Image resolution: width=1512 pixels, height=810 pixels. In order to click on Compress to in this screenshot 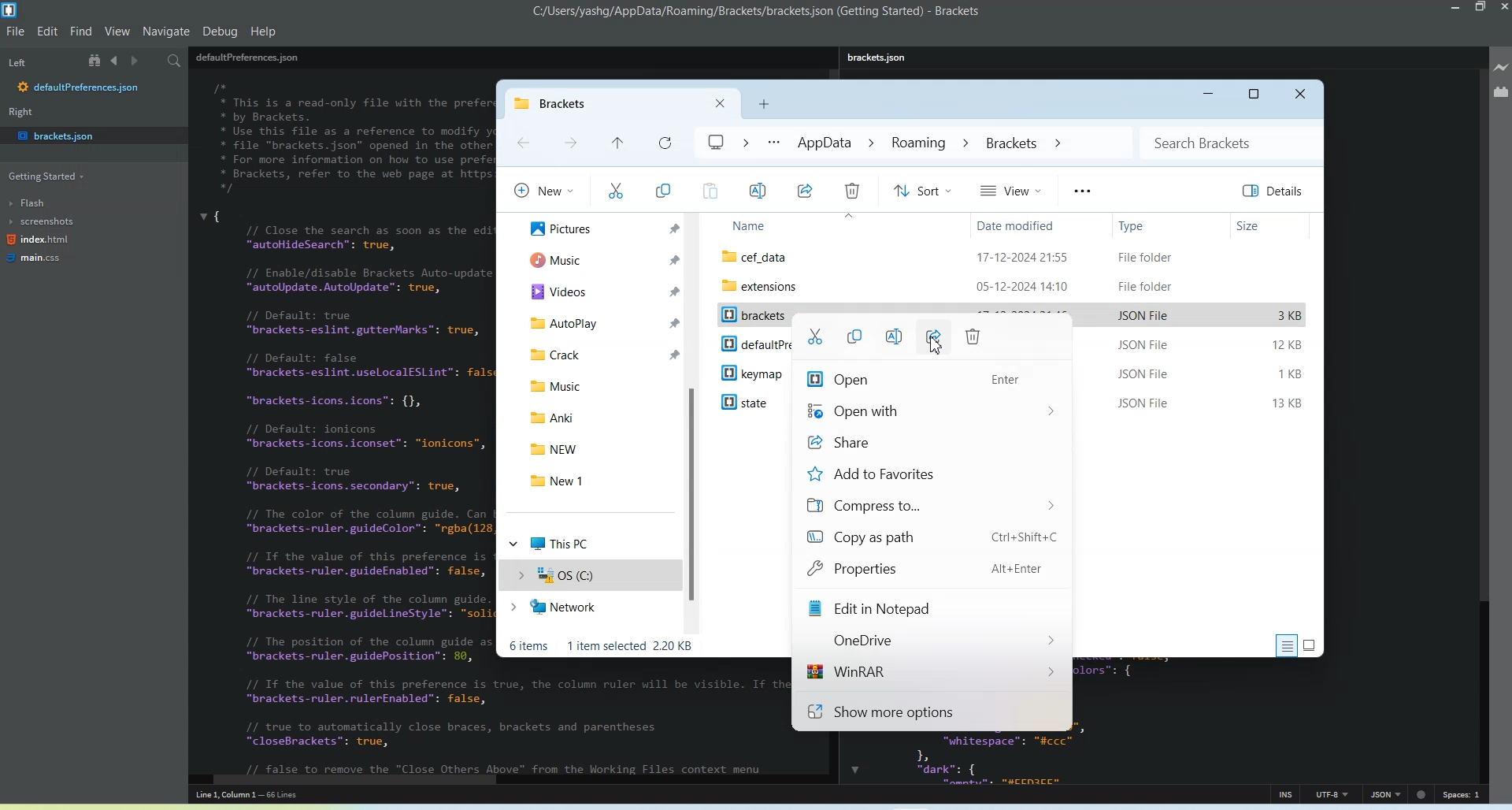, I will do `click(929, 507)`.